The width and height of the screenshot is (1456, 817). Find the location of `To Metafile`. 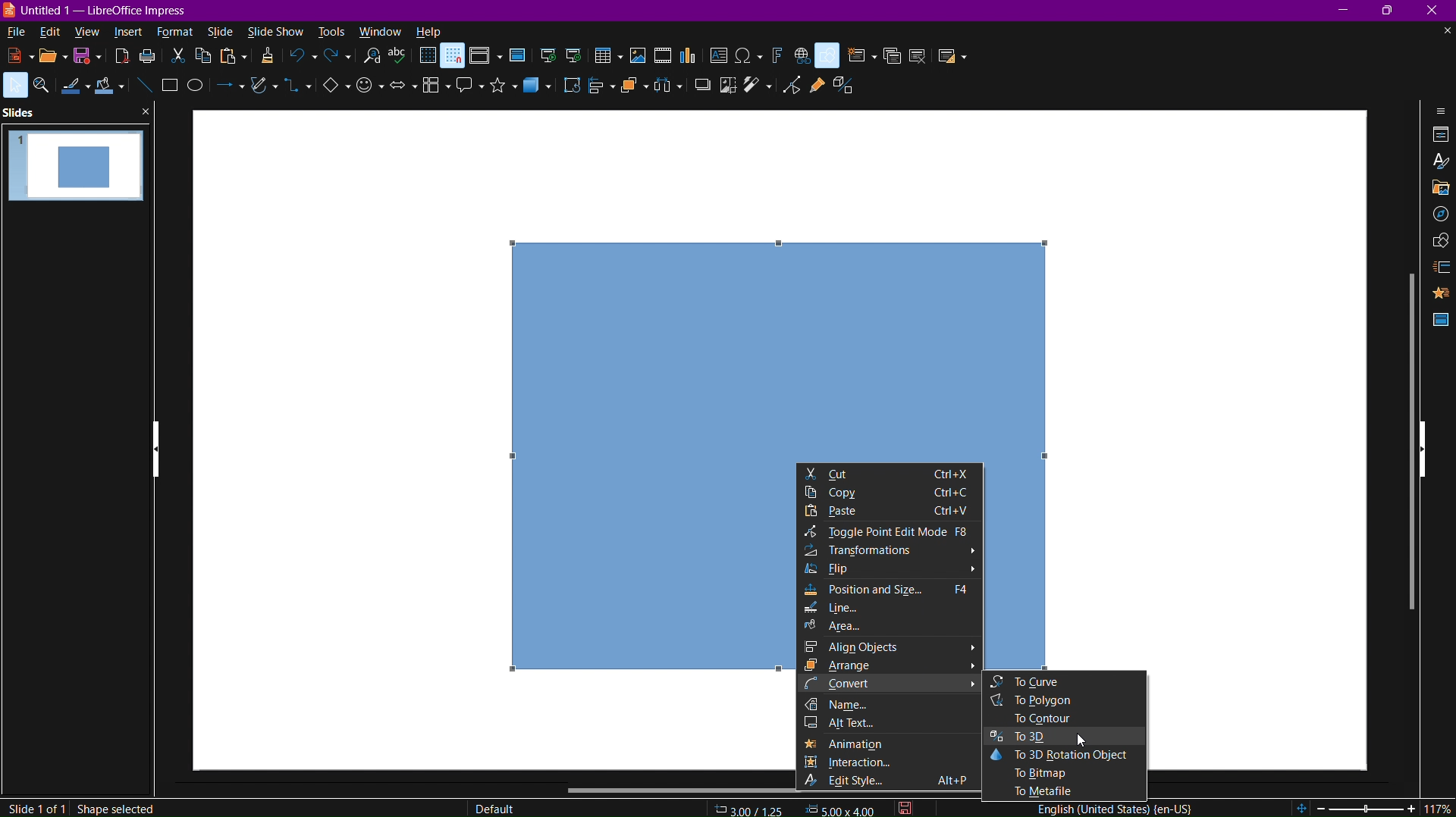

To Metafile is located at coordinates (1068, 794).